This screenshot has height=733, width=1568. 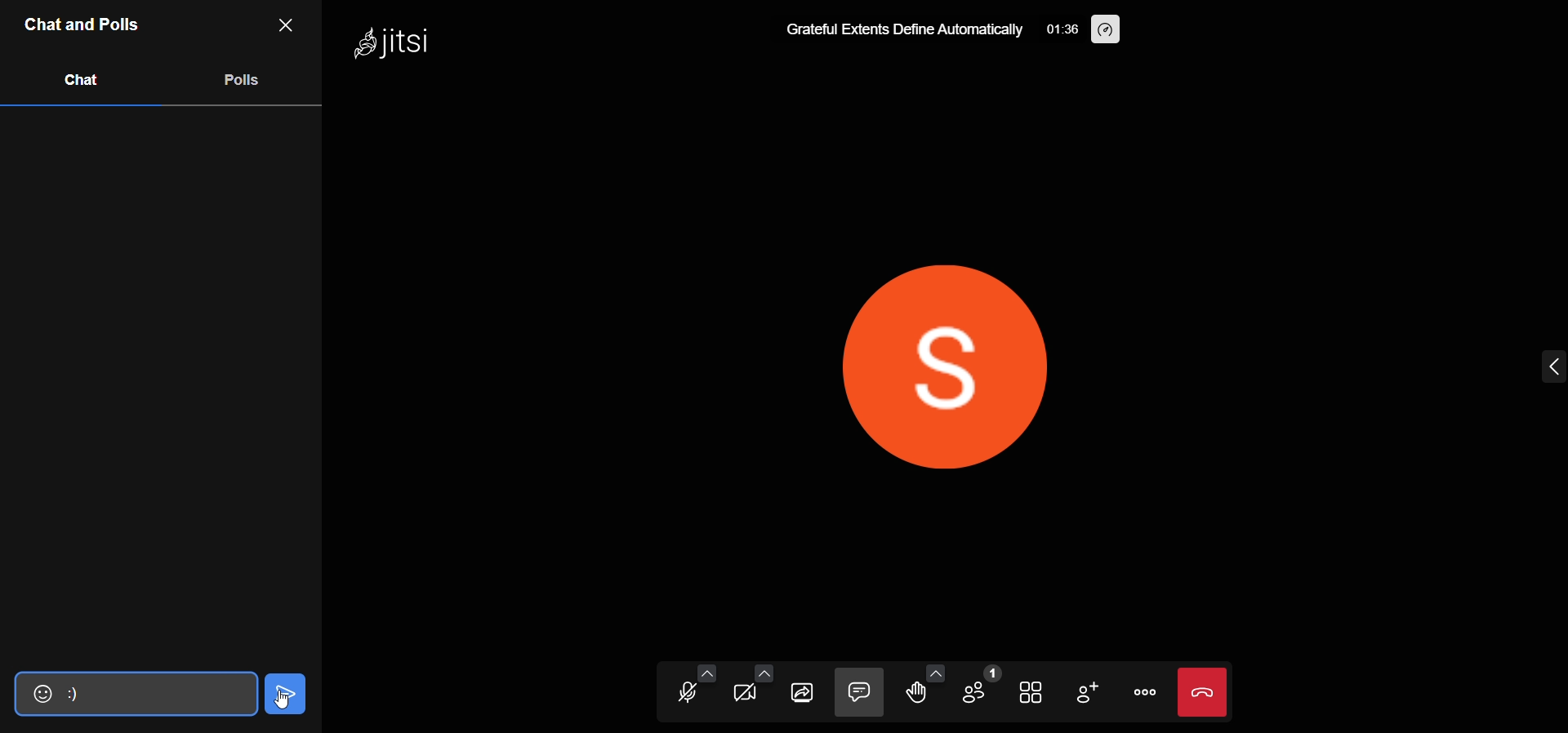 I want to click on time, so click(x=1060, y=28).